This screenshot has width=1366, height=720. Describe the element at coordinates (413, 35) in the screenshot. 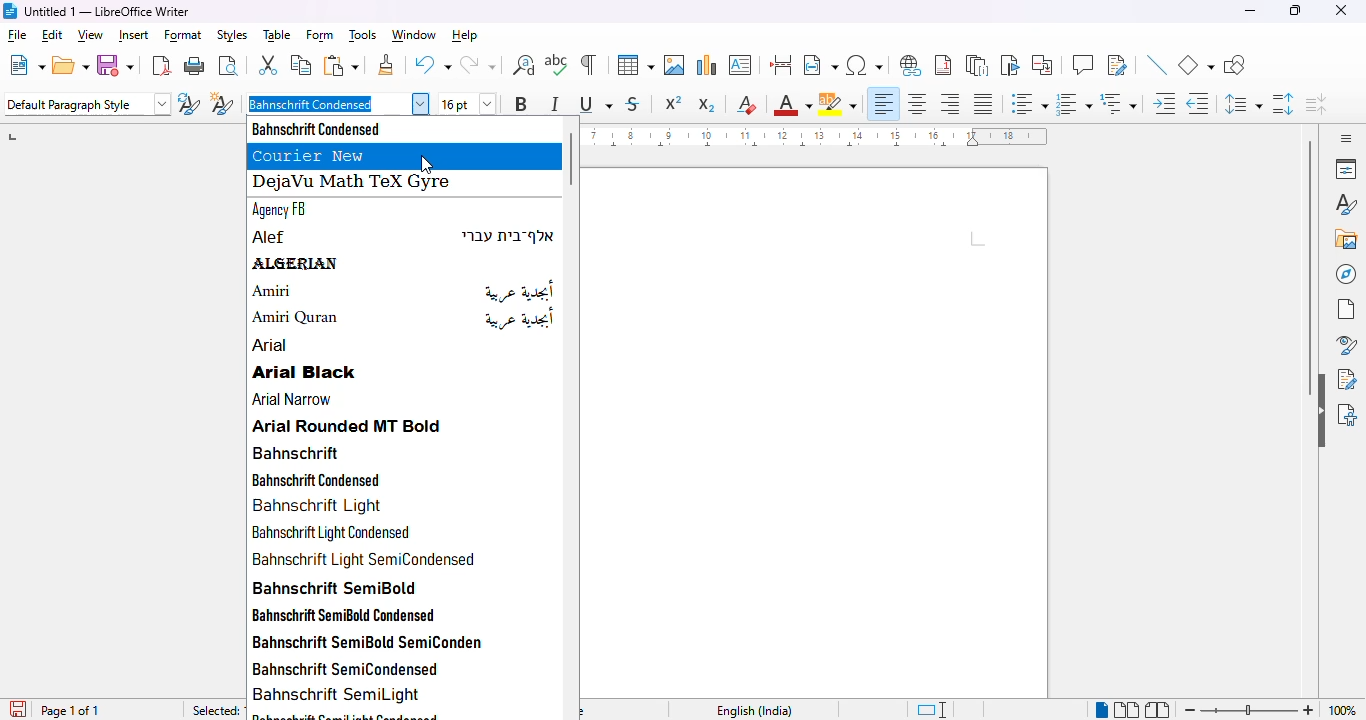

I see `window` at that location.